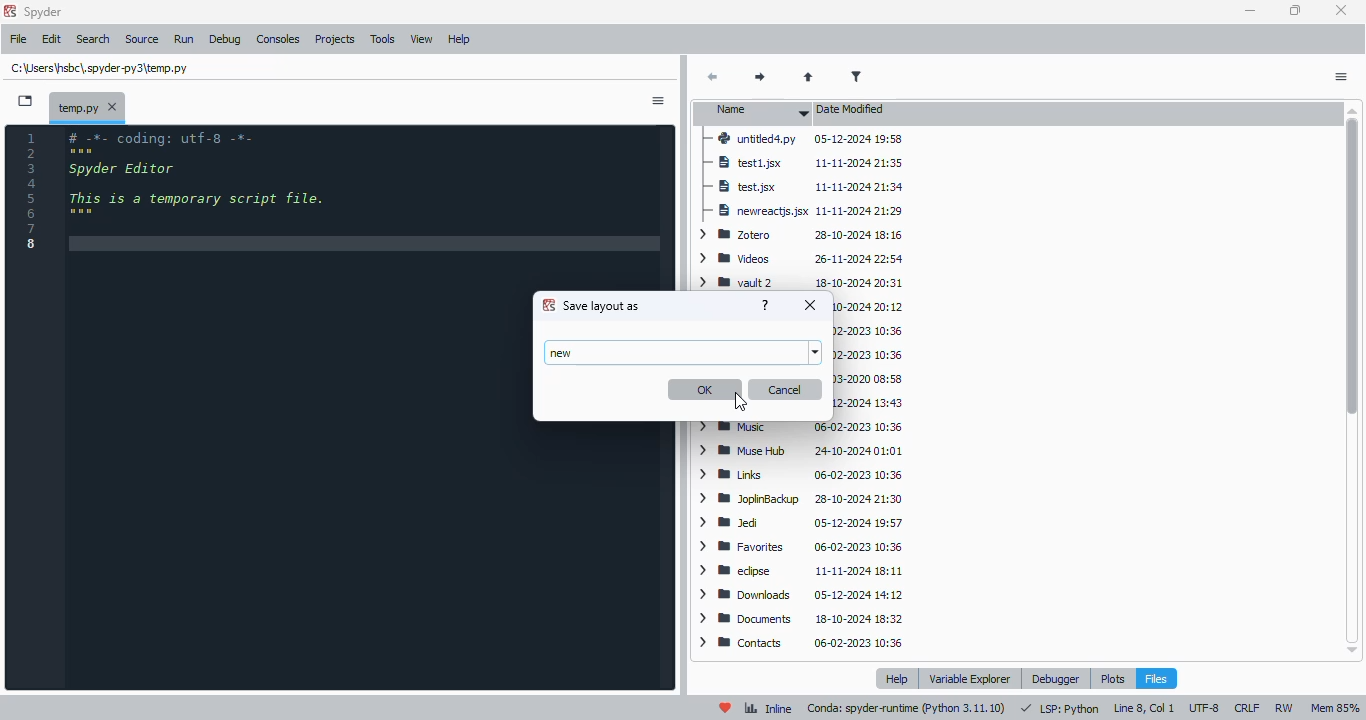 The width and height of the screenshot is (1366, 720). I want to click on temporary file, so click(98, 68).